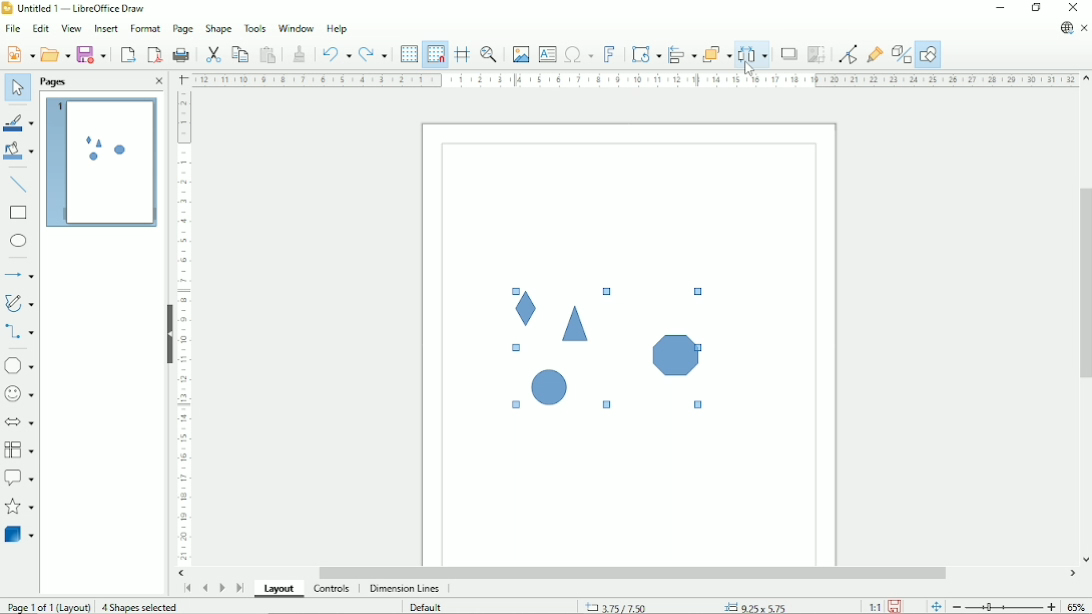  Describe the element at coordinates (21, 508) in the screenshot. I see `Stars and banners` at that location.